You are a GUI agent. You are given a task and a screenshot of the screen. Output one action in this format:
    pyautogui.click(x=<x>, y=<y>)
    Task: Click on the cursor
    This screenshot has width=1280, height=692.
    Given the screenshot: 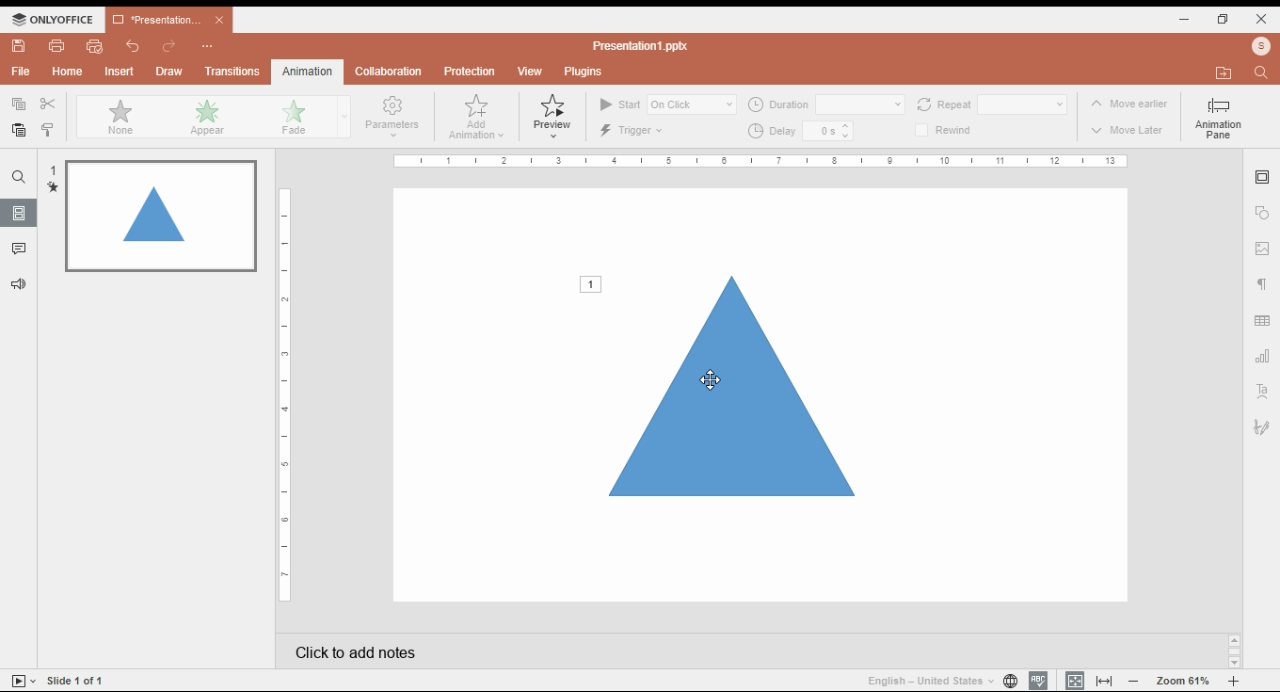 What is the action you would take?
    pyautogui.click(x=715, y=377)
    